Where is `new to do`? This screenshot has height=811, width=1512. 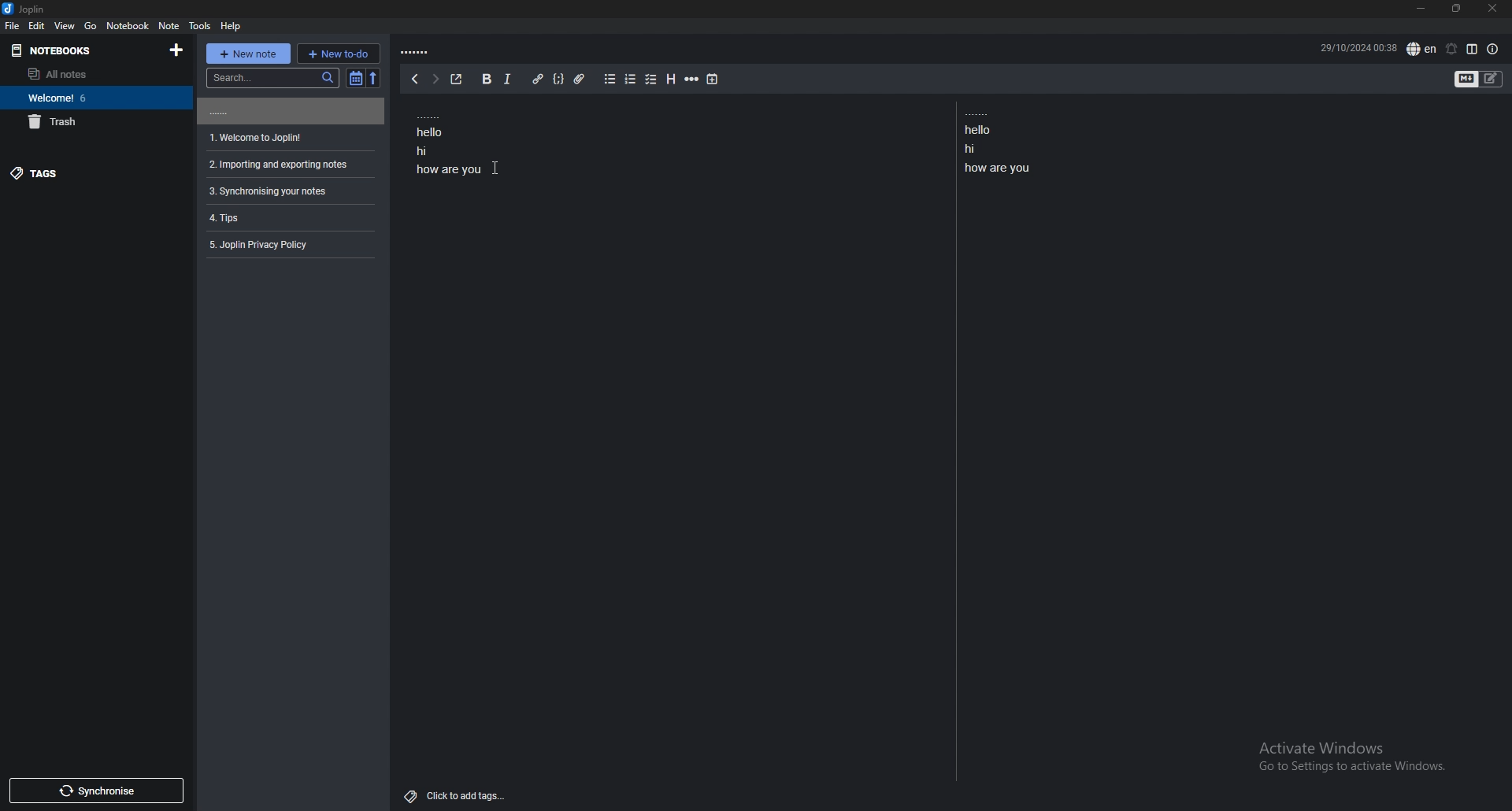
new to do is located at coordinates (339, 54).